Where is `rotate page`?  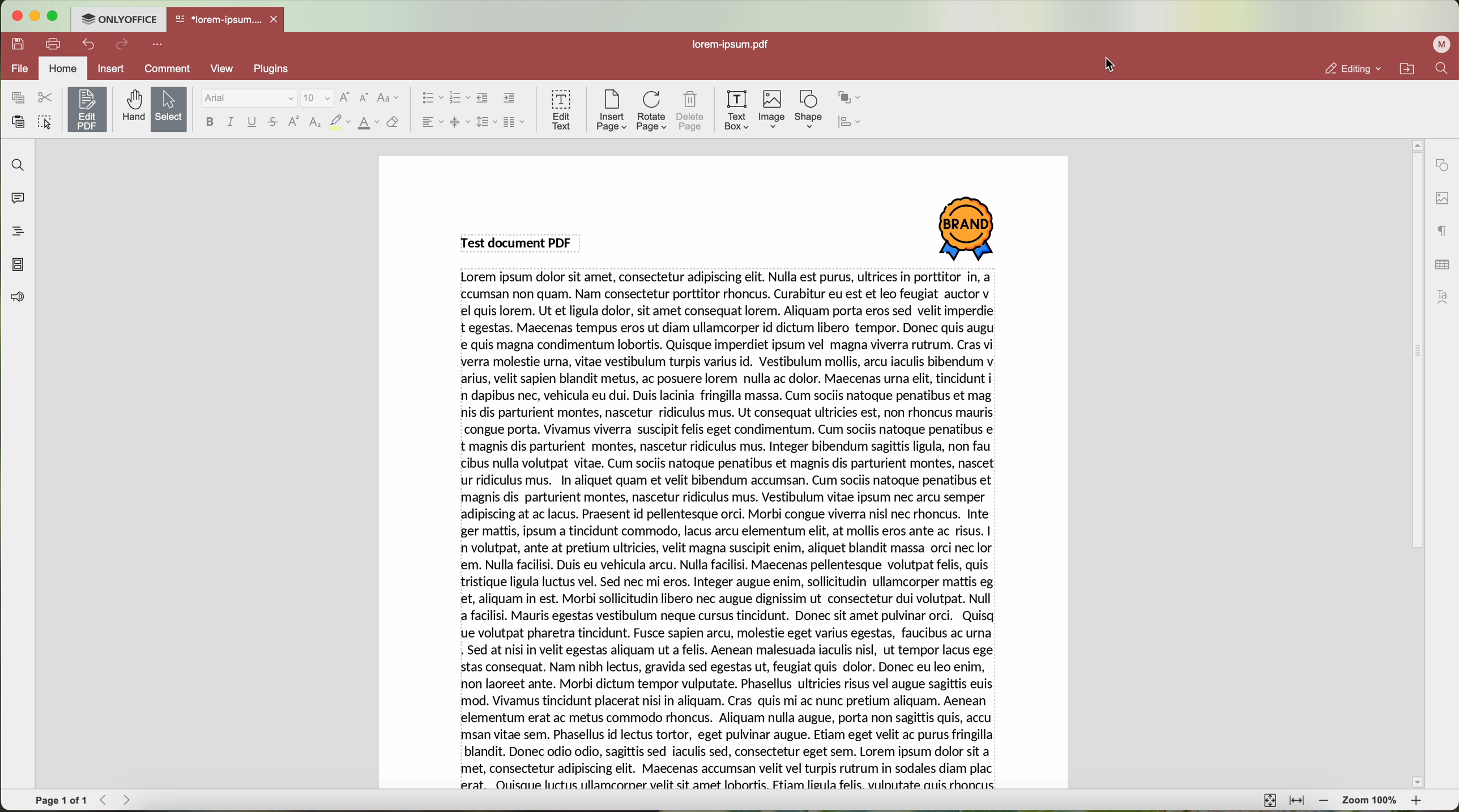
rotate page is located at coordinates (652, 112).